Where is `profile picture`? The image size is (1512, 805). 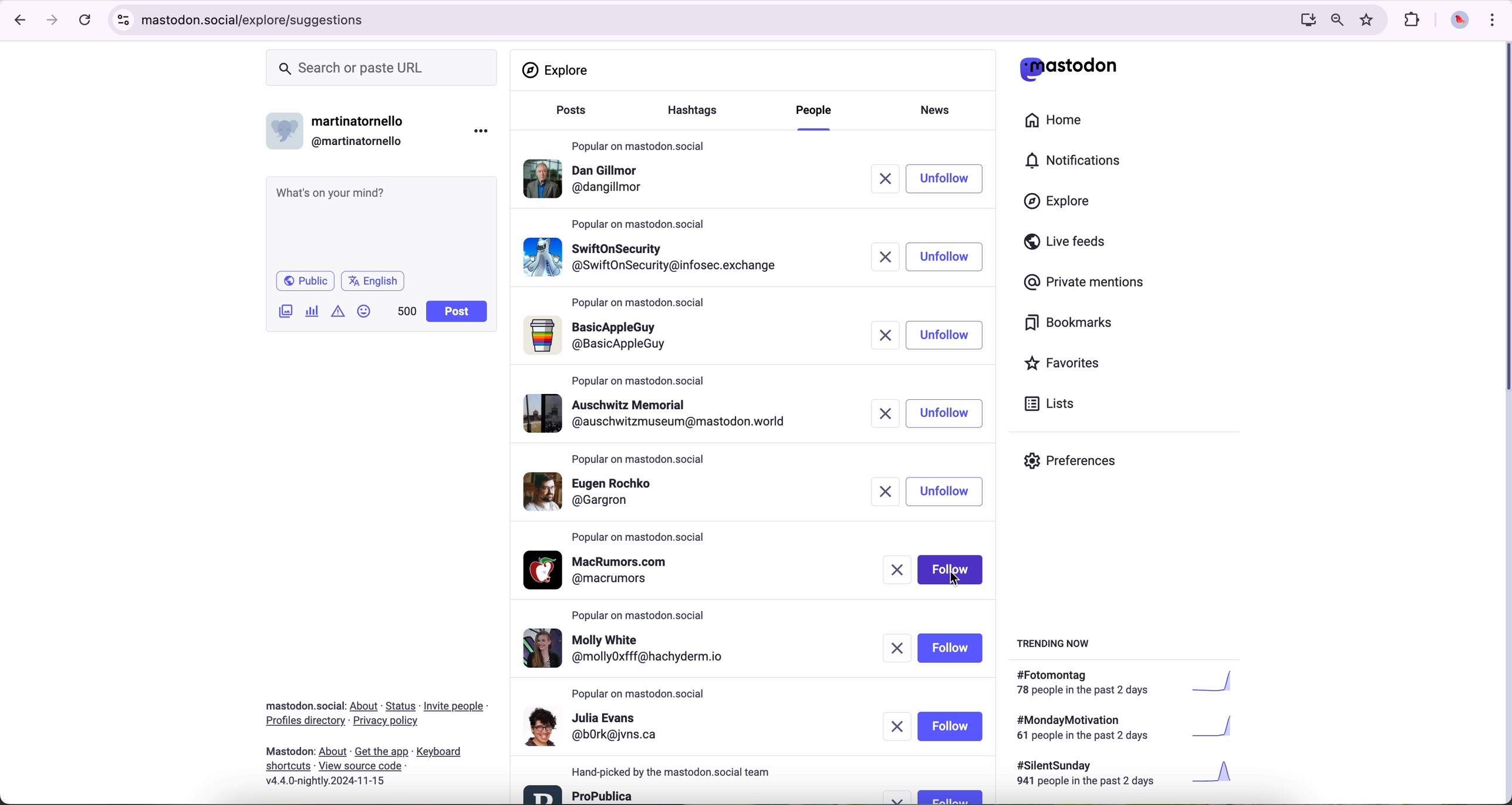 profile picture is located at coordinates (1456, 21).